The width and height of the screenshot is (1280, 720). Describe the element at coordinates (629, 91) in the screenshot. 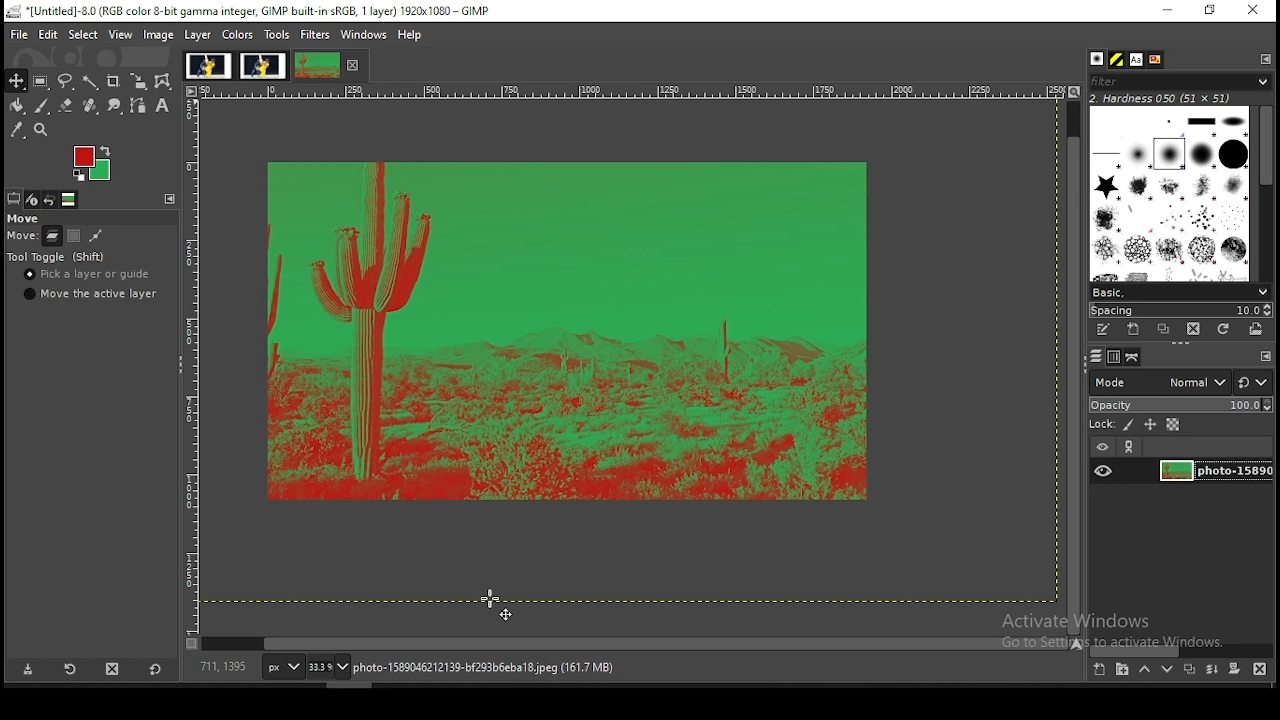

I see `scale` at that location.